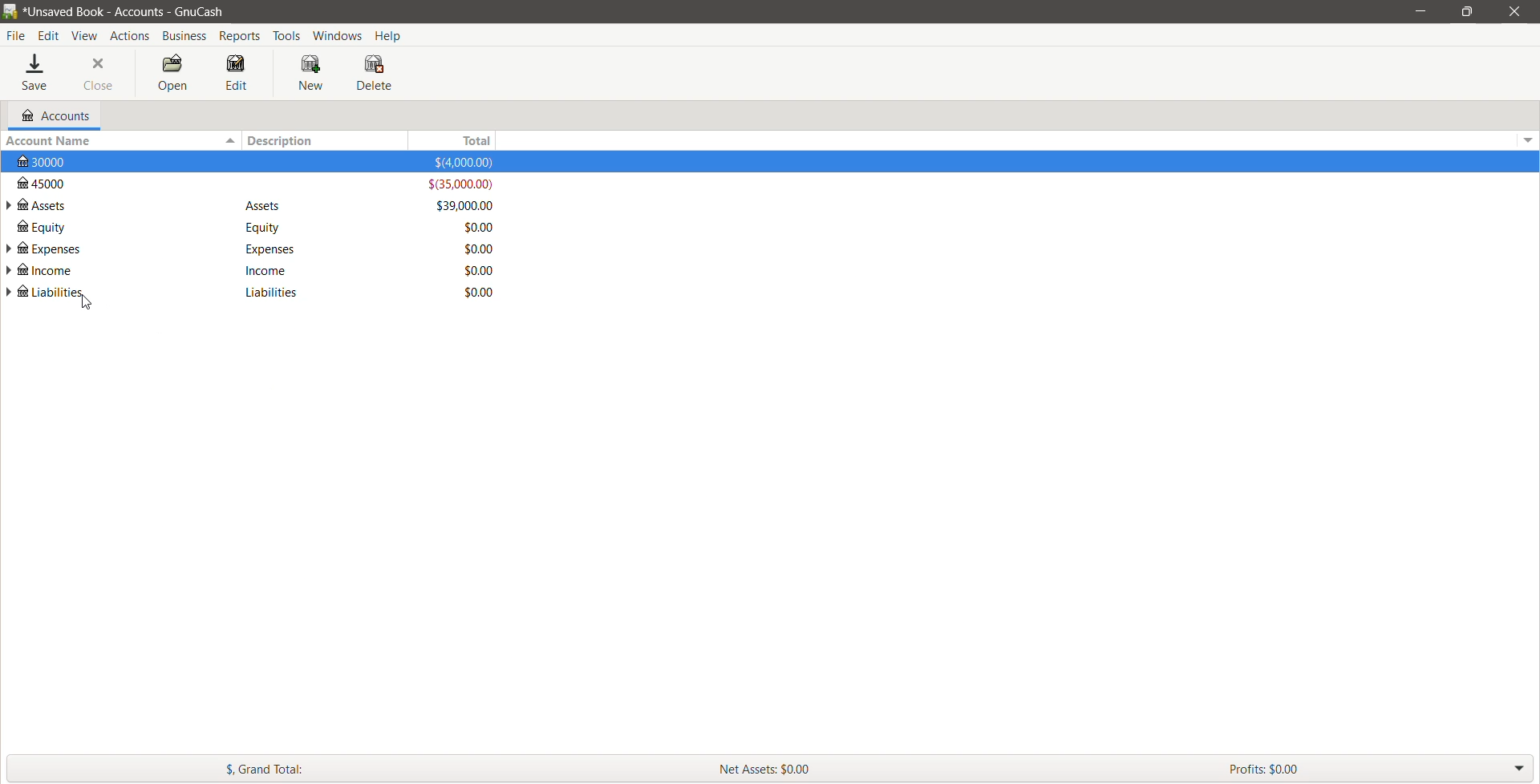 This screenshot has height=784, width=1540. Describe the element at coordinates (171, 74) in the screenshot. I see `Open` at that location.